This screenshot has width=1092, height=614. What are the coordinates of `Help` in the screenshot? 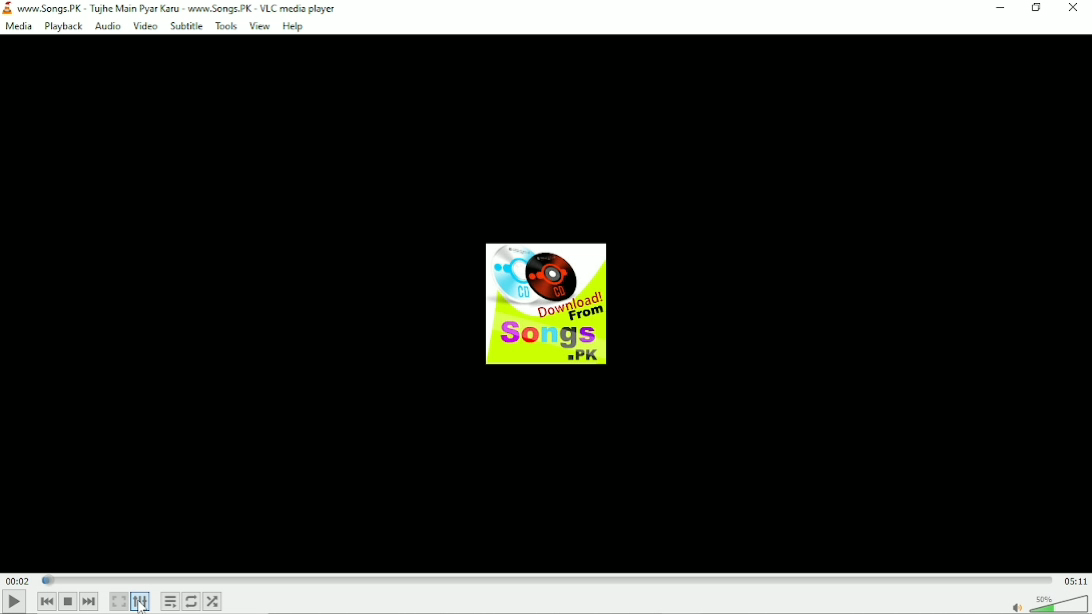 It's located at (293, 26).